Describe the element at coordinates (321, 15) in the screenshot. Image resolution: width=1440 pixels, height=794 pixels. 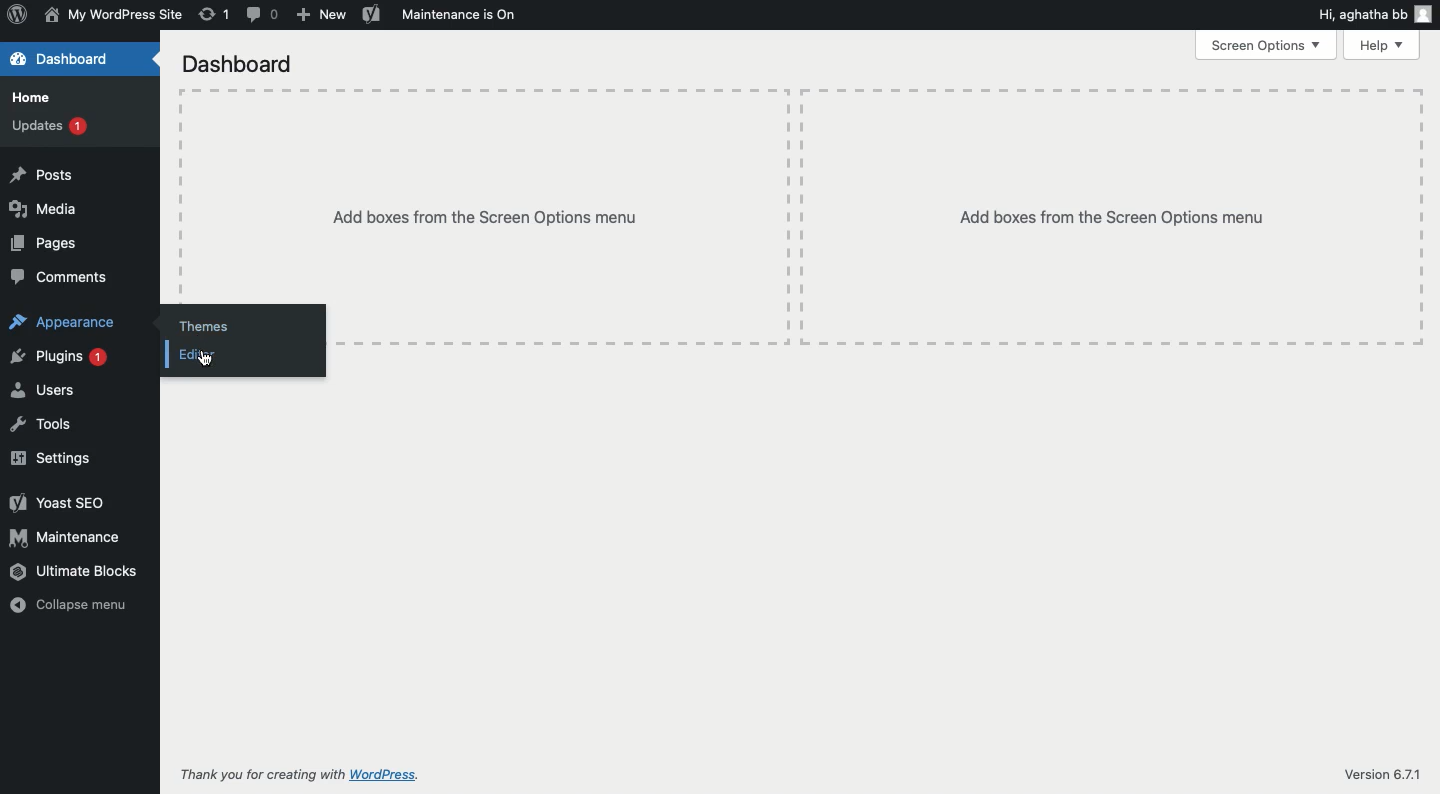
I see `New` at that location.